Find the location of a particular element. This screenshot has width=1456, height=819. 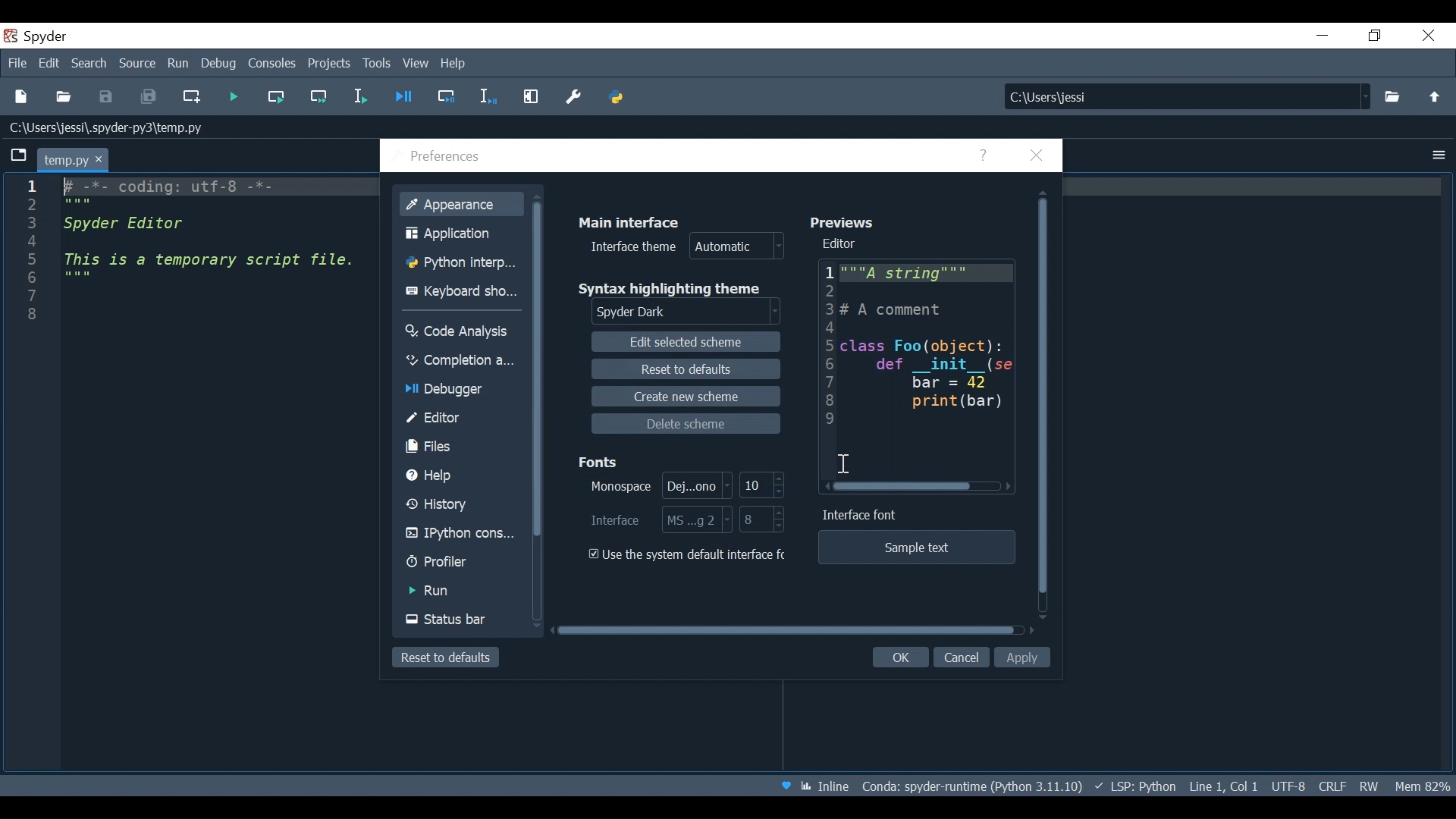

Cursor Position is located at coordinates (1222, 786).